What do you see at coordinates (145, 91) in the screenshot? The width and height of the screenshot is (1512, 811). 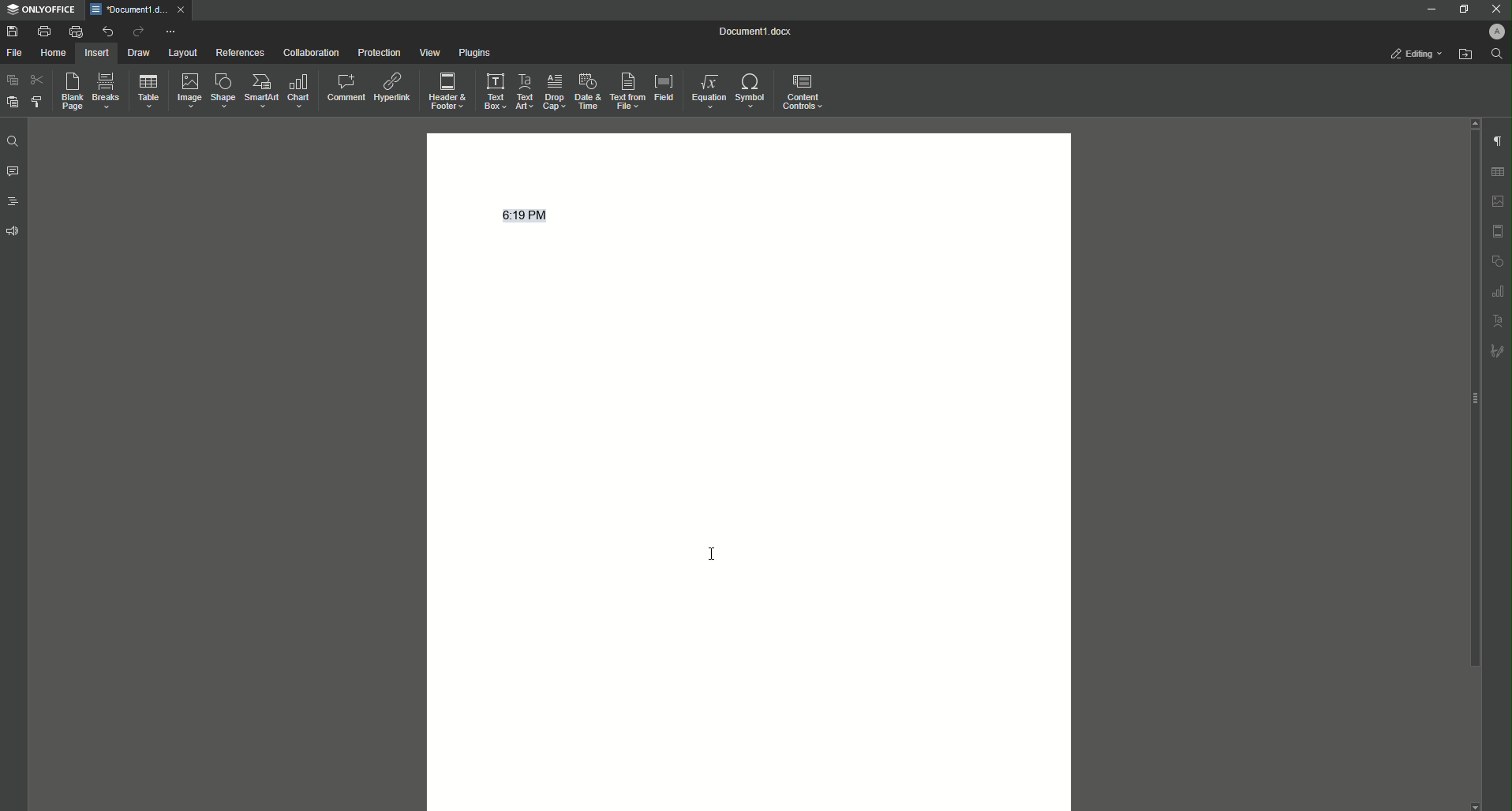 I see `Table` at bounding box center [145, 91].